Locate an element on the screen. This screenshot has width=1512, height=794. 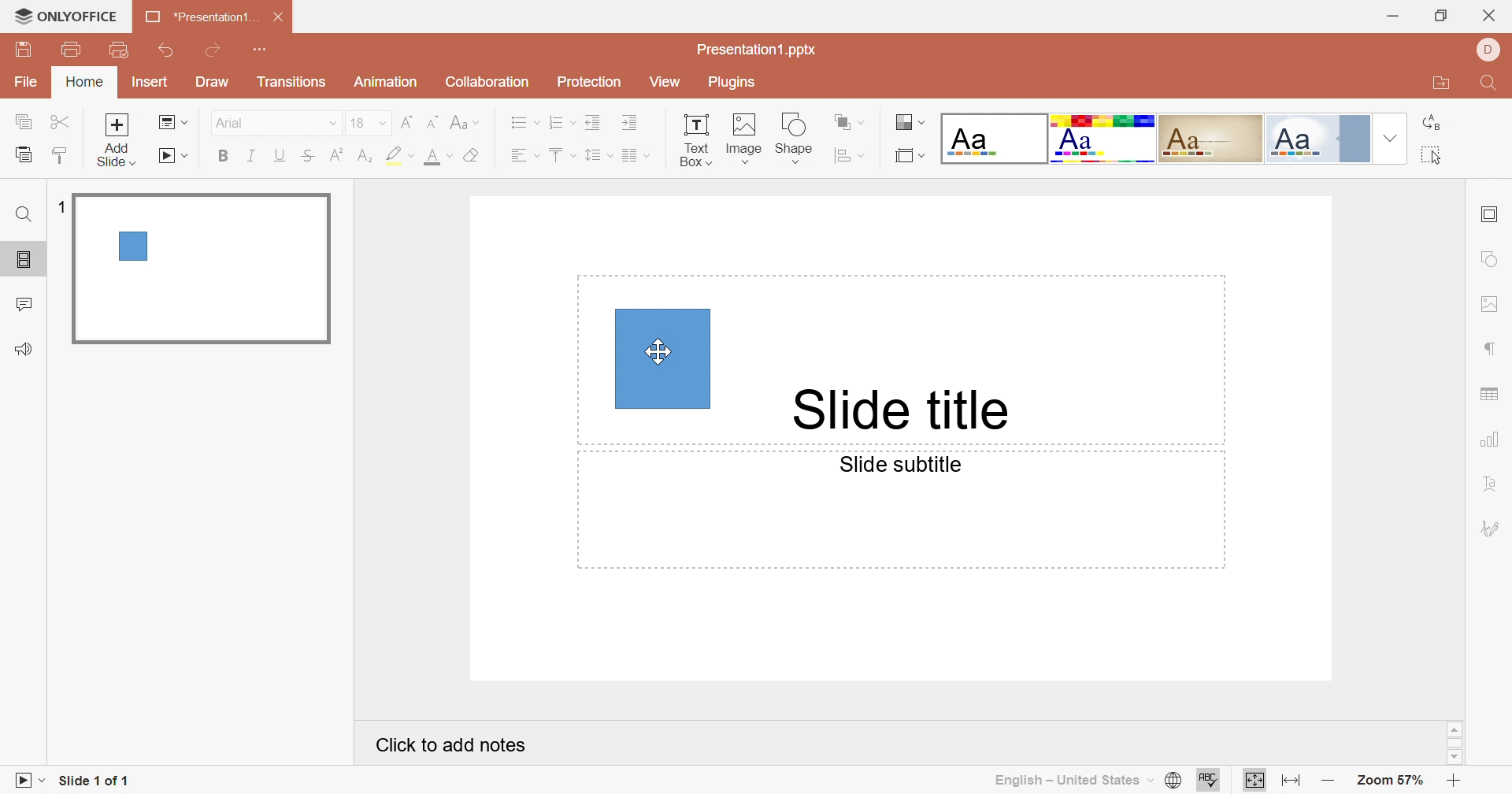
Redo is located at coordinates (223, 54).